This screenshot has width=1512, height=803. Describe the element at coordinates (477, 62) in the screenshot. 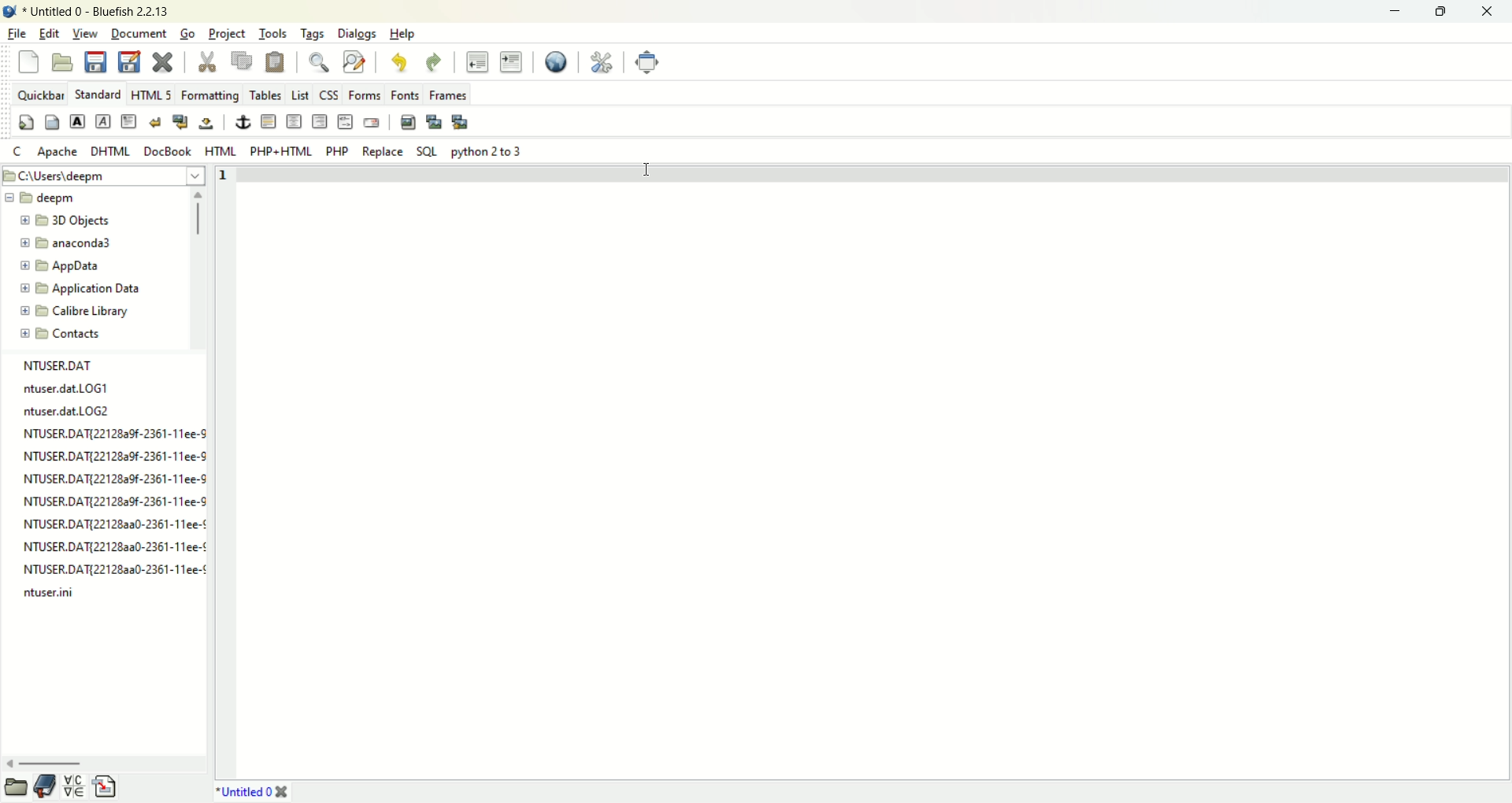

I see `unindent` at that location.